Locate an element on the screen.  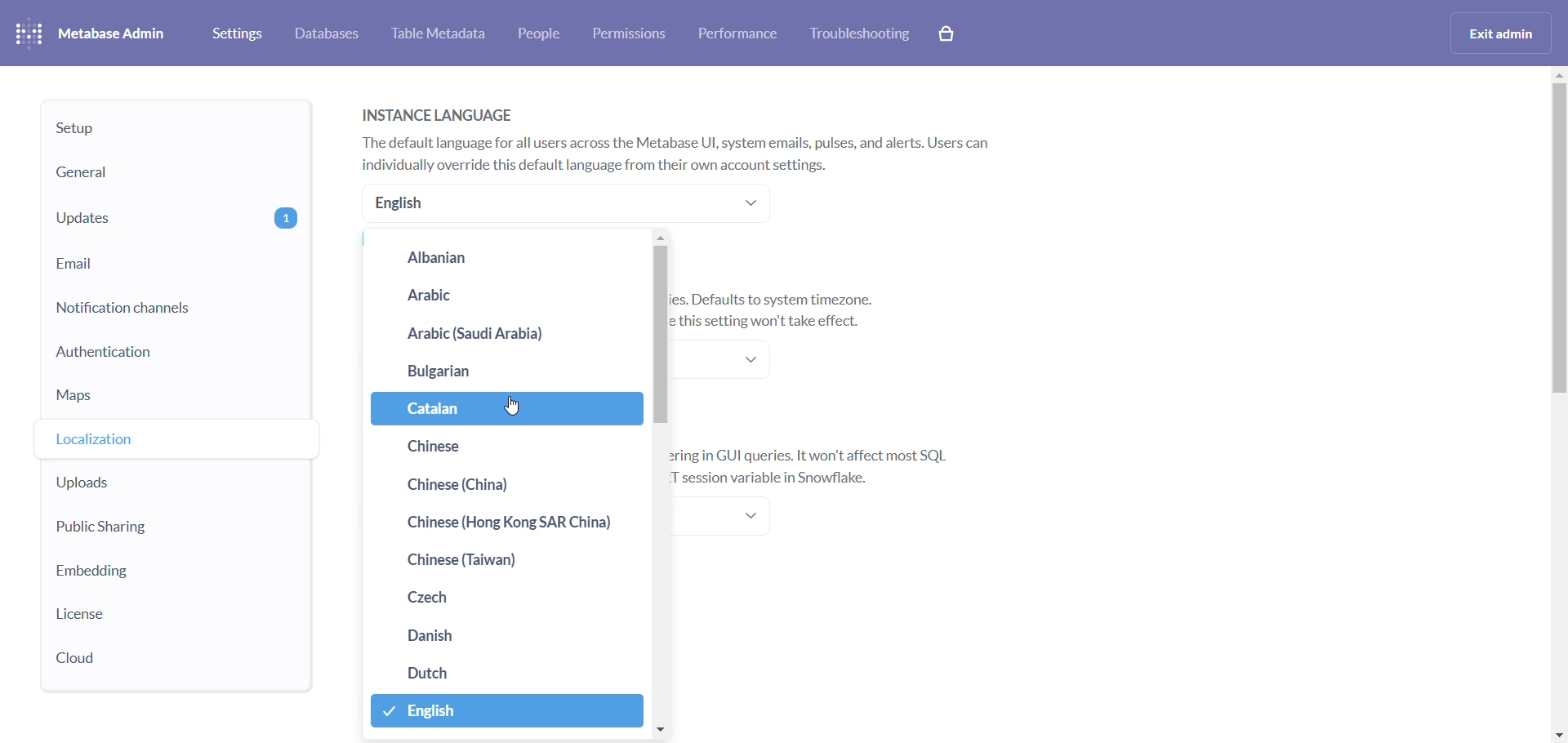
localization is located at coordinates (168, 438).